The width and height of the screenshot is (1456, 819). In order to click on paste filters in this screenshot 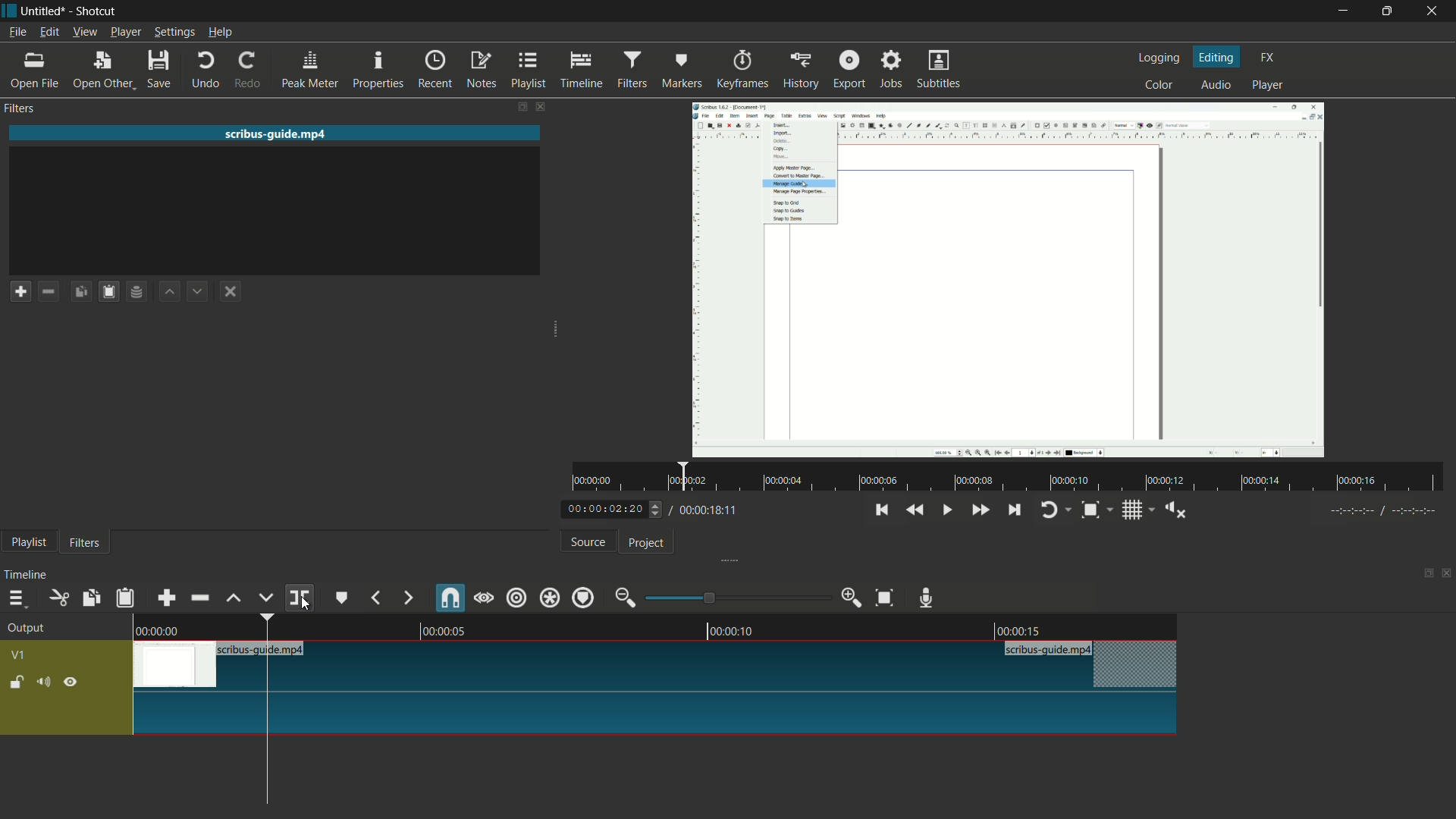, I will do `click(109, 292)`.